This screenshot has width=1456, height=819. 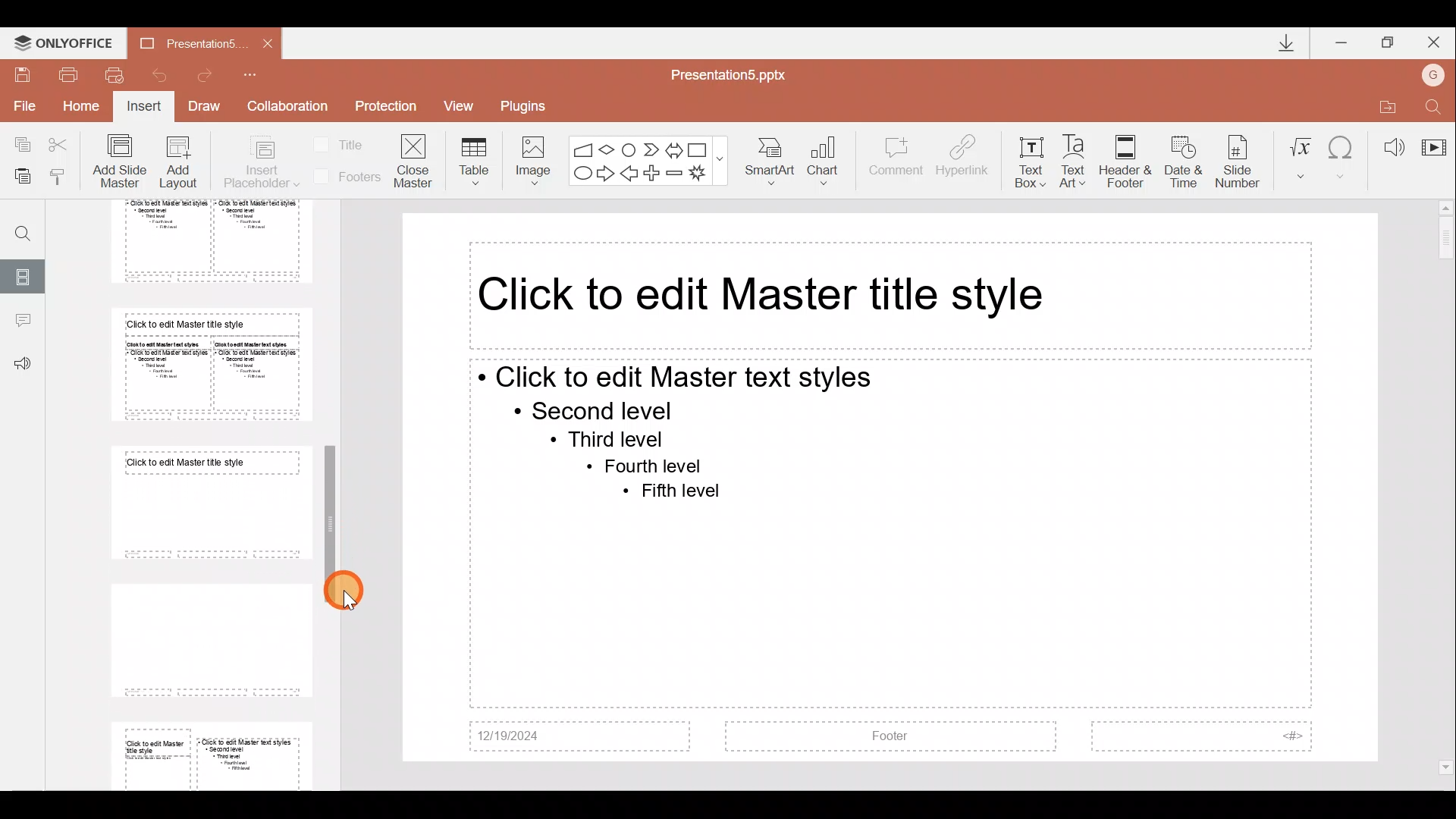 What do you see at coordinates (62, 144) in the screenshot?
I see `Cut` at bounding box center [62, 144].